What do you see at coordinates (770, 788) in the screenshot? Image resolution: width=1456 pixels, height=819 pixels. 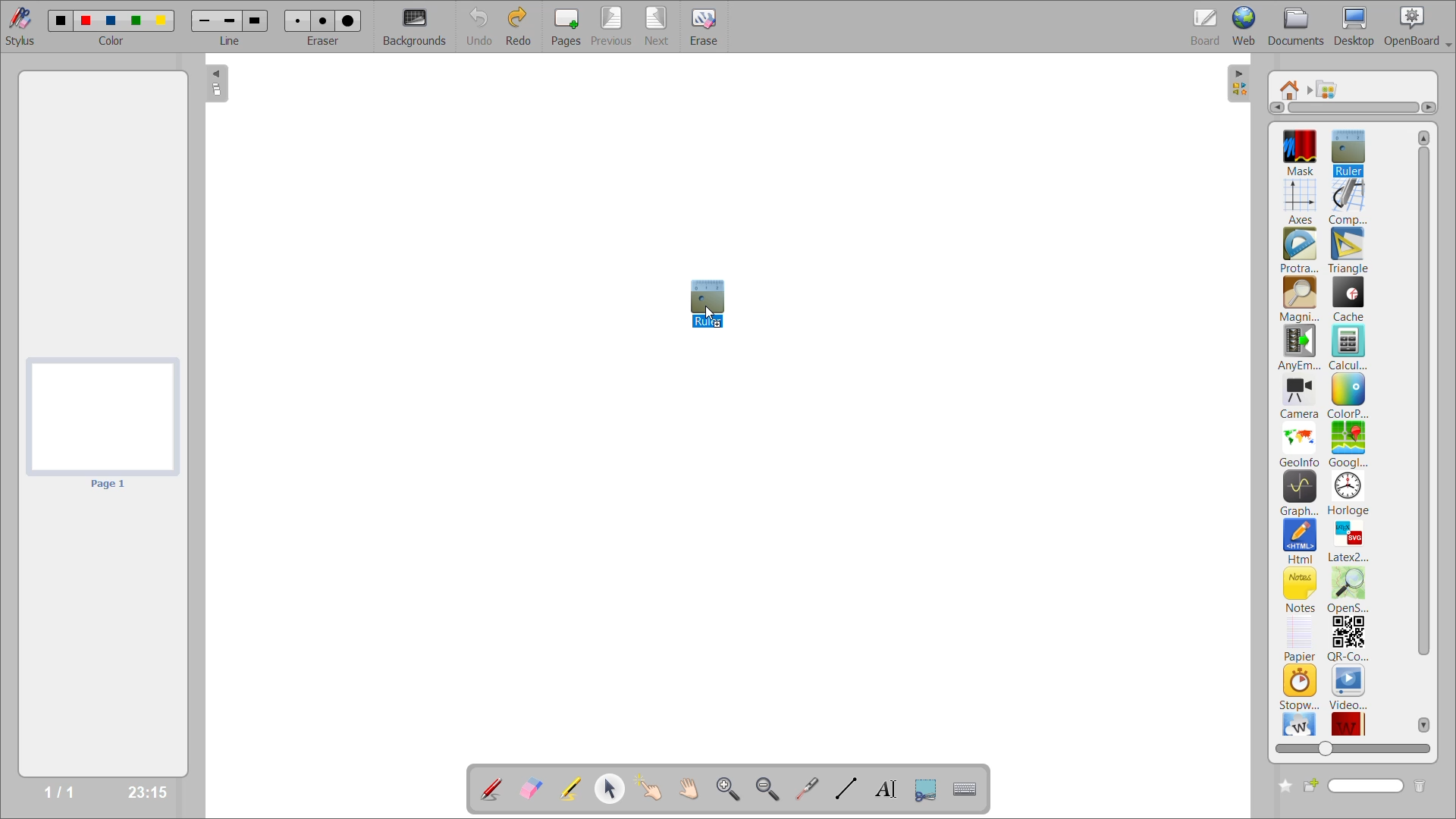 I see `zoom out` at bounding box center [770, 788].